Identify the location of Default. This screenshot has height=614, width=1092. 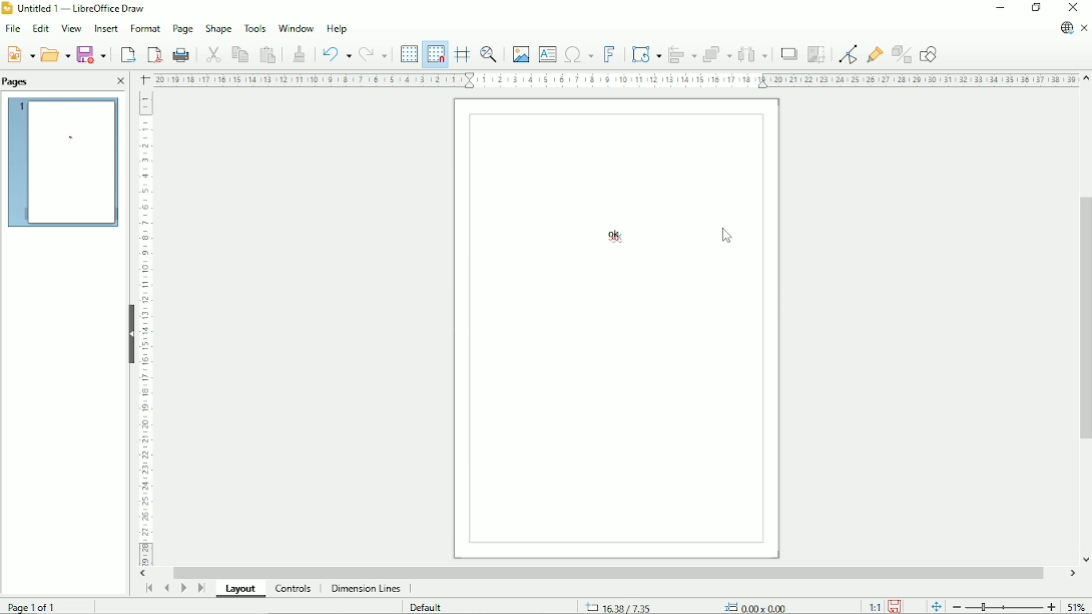
(429, 607).